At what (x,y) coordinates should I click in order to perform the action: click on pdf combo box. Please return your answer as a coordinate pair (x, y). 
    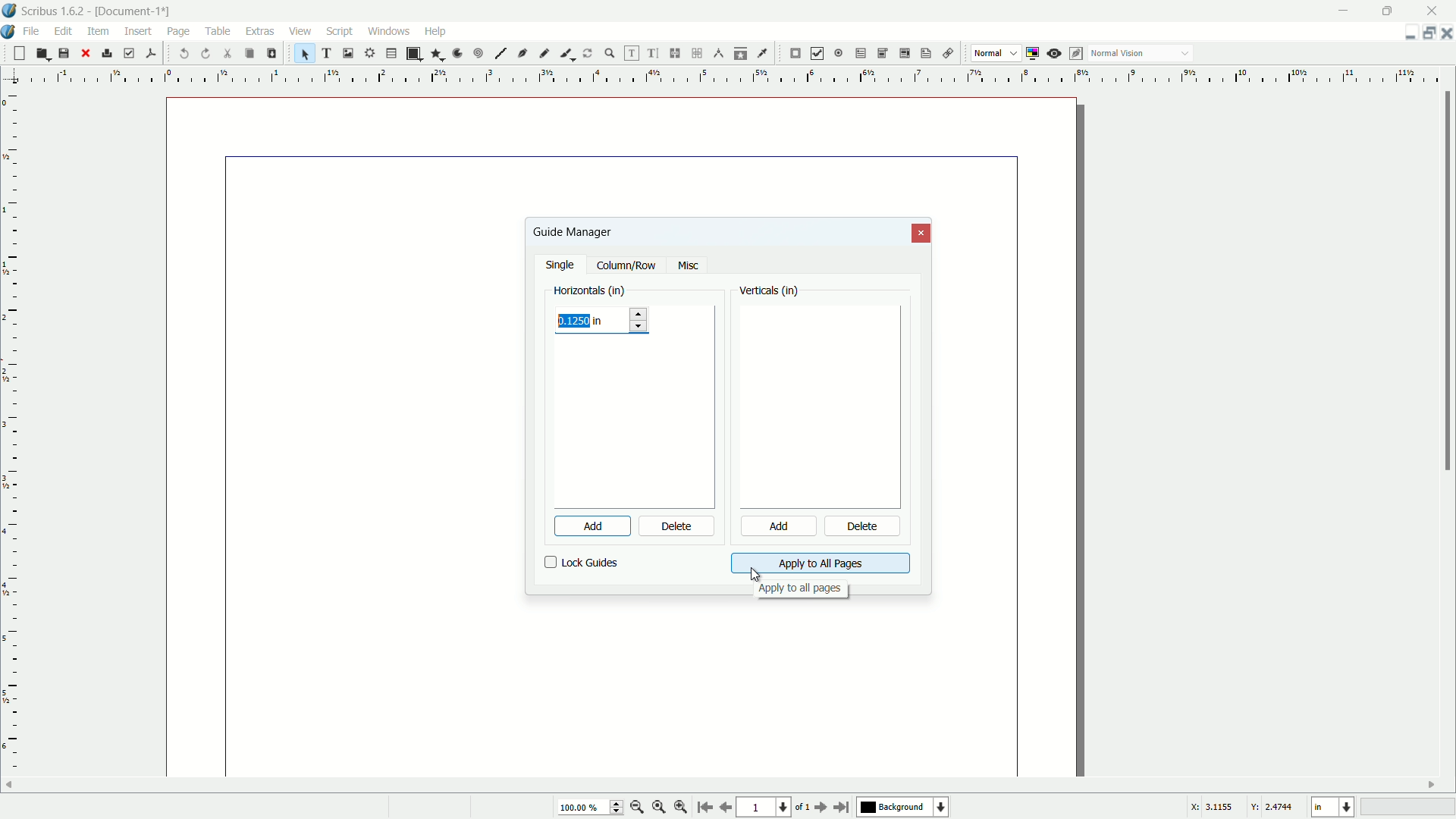
    Looking at the image, I should click on (881, 52).